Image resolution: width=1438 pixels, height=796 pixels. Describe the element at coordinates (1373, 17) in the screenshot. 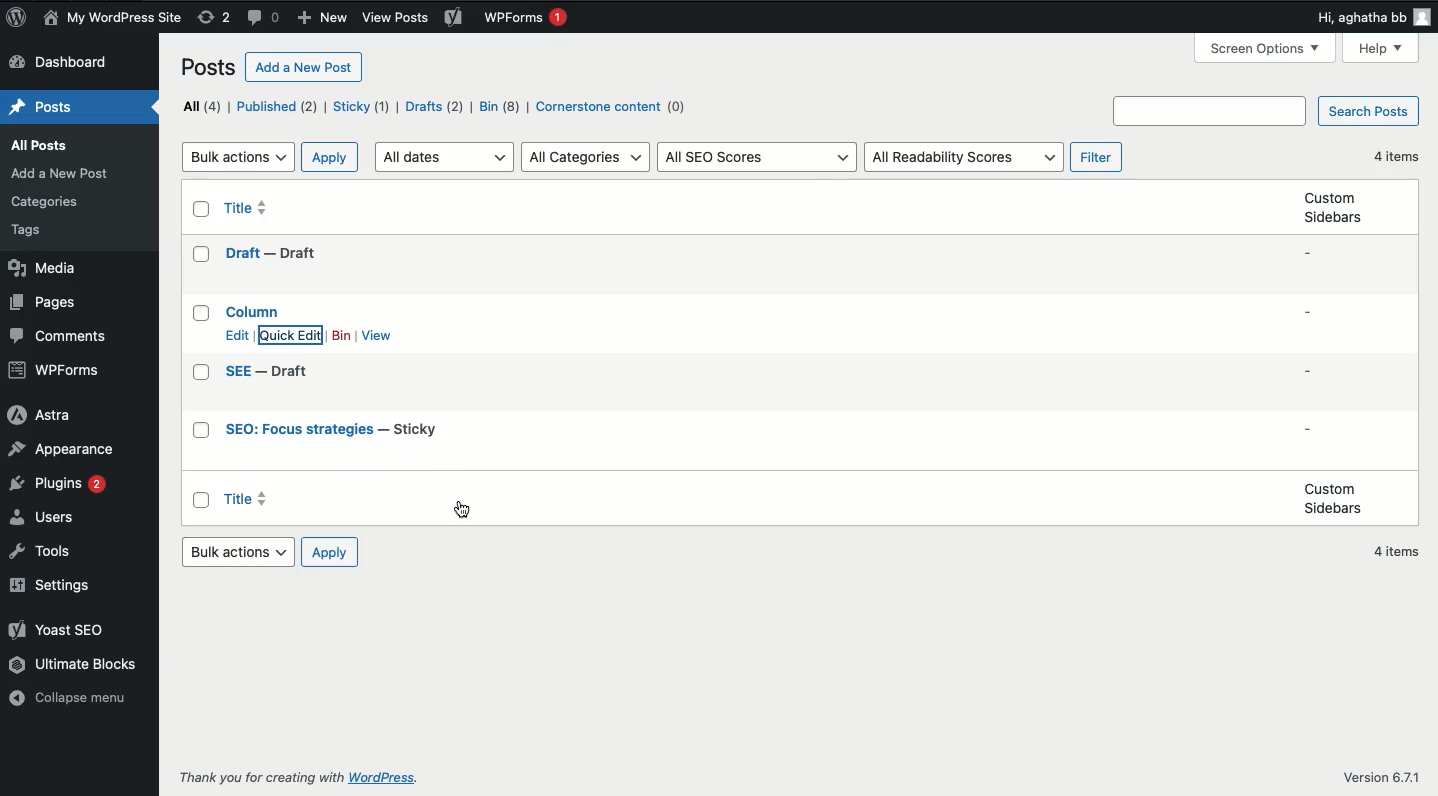

I see `Hi user` at that location.